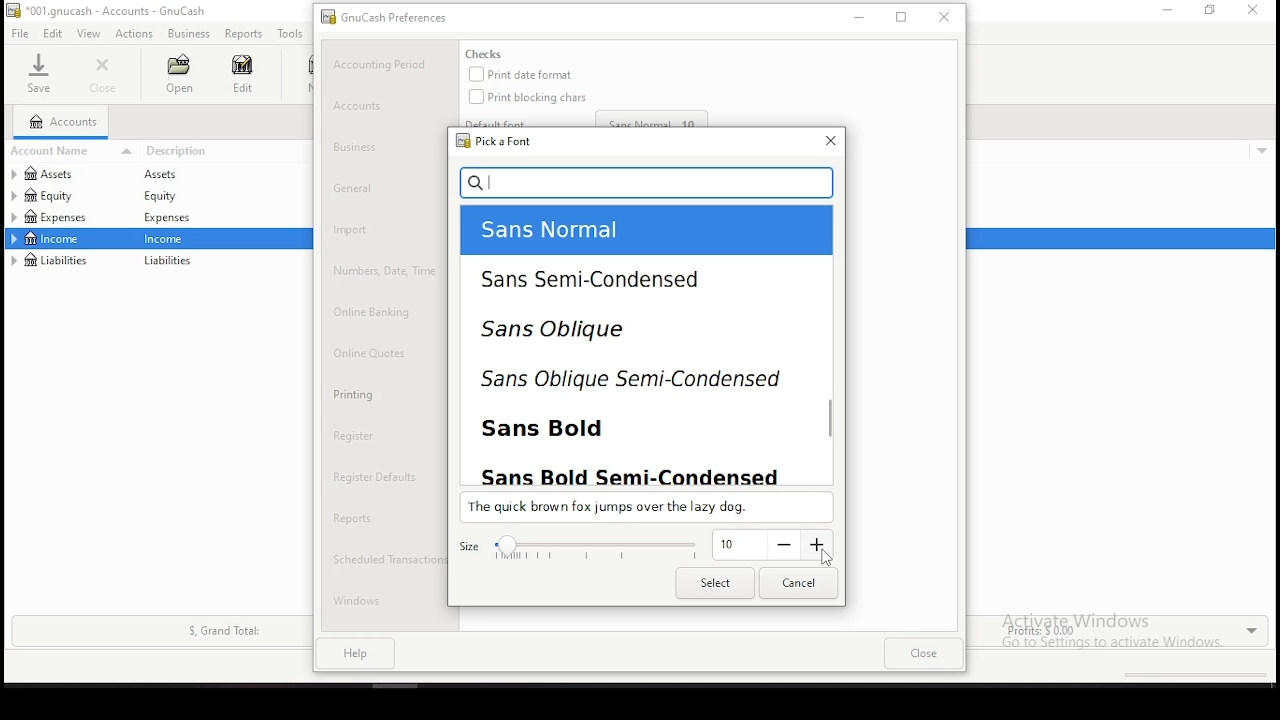 This screenshot has width=1280, height=720. Describe the element at coordinates (627, 381) in the screenshot. I see `sans oblique semi-condensed` at that location.